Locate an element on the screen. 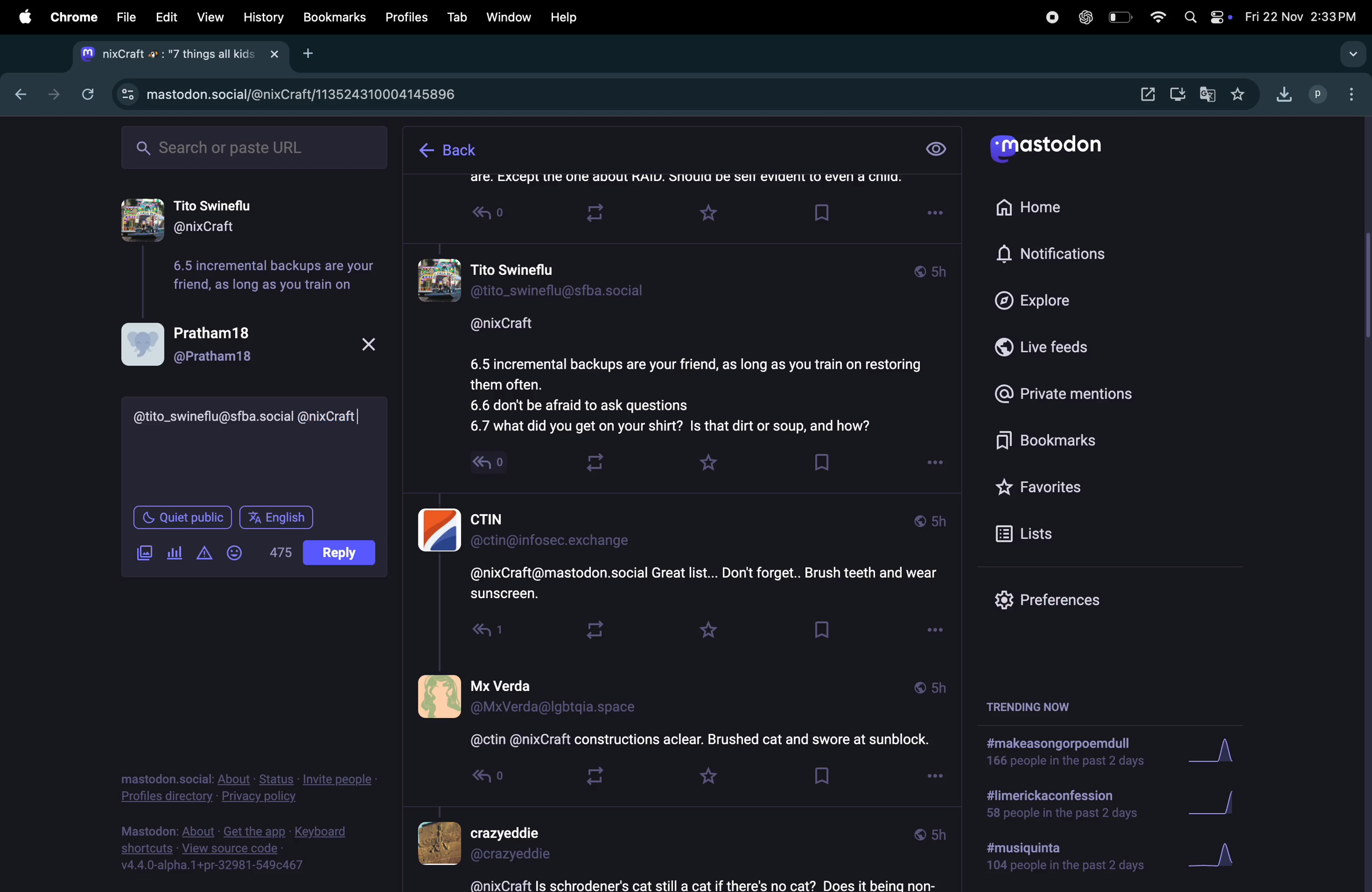 This screenshot has height=892, width=1372. thread is located at coordinates (689, 343).